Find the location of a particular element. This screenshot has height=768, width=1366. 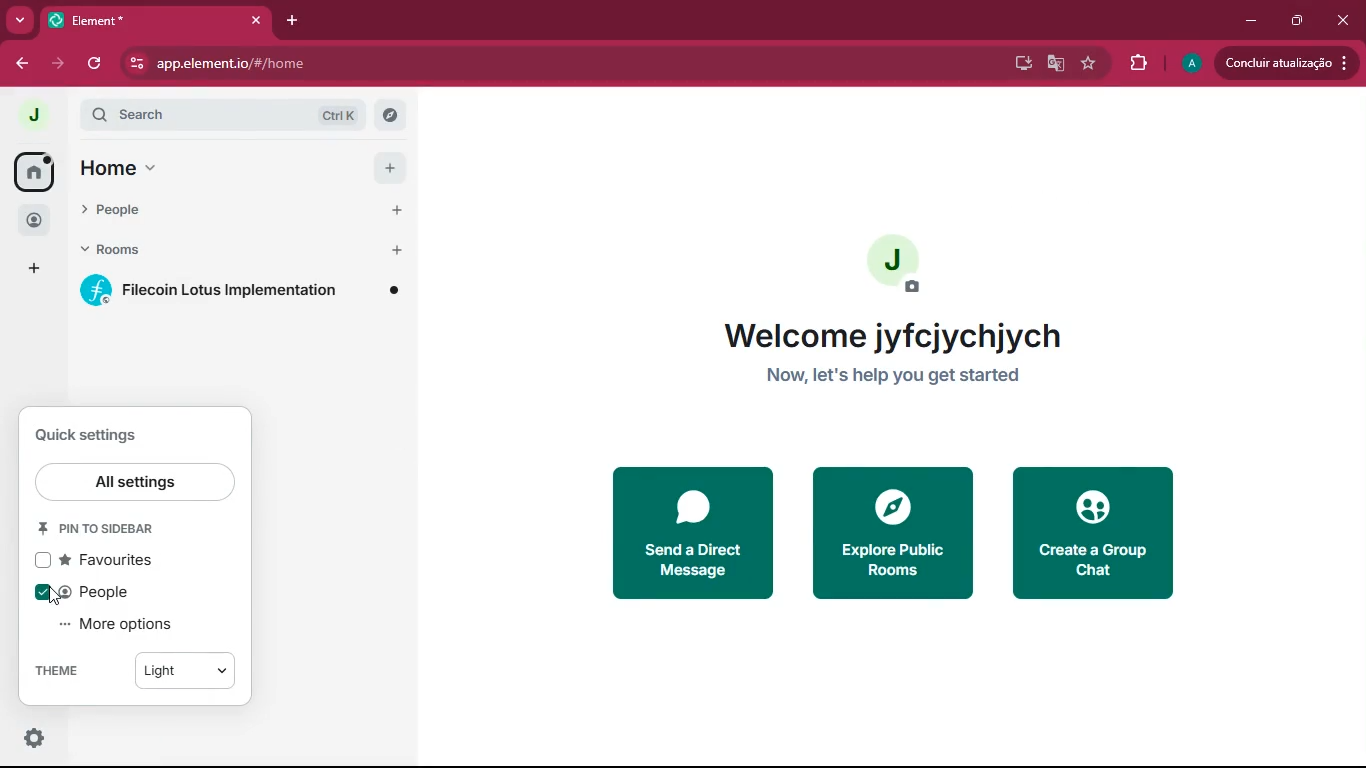

rooms is located at coordinates (214, 247).